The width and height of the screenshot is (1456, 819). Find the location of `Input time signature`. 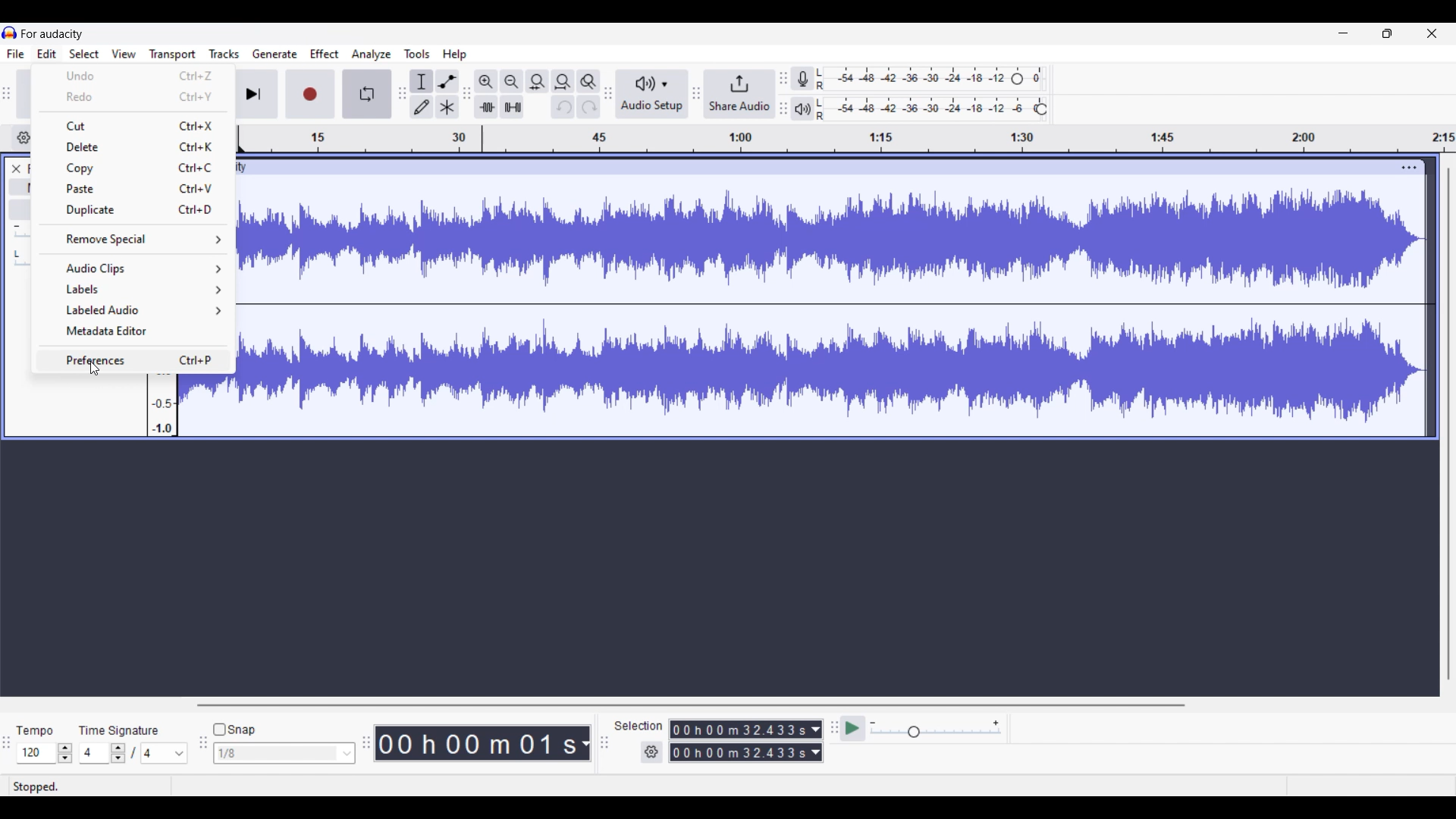

Input time signature is located at coordinates (94, 753).